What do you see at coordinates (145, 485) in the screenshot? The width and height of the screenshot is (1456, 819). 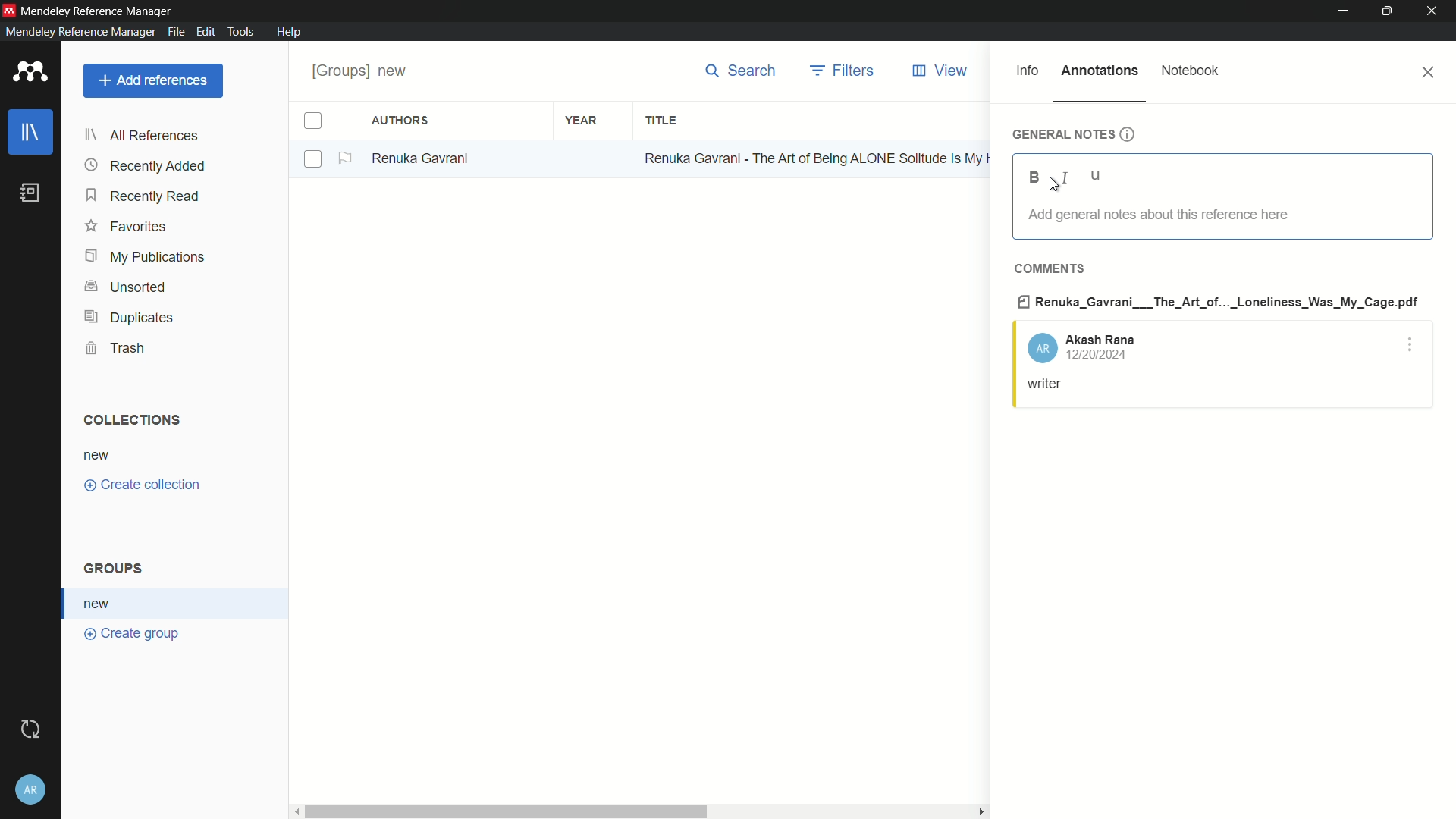 I see `create collection` at bounding box center [145, 485].